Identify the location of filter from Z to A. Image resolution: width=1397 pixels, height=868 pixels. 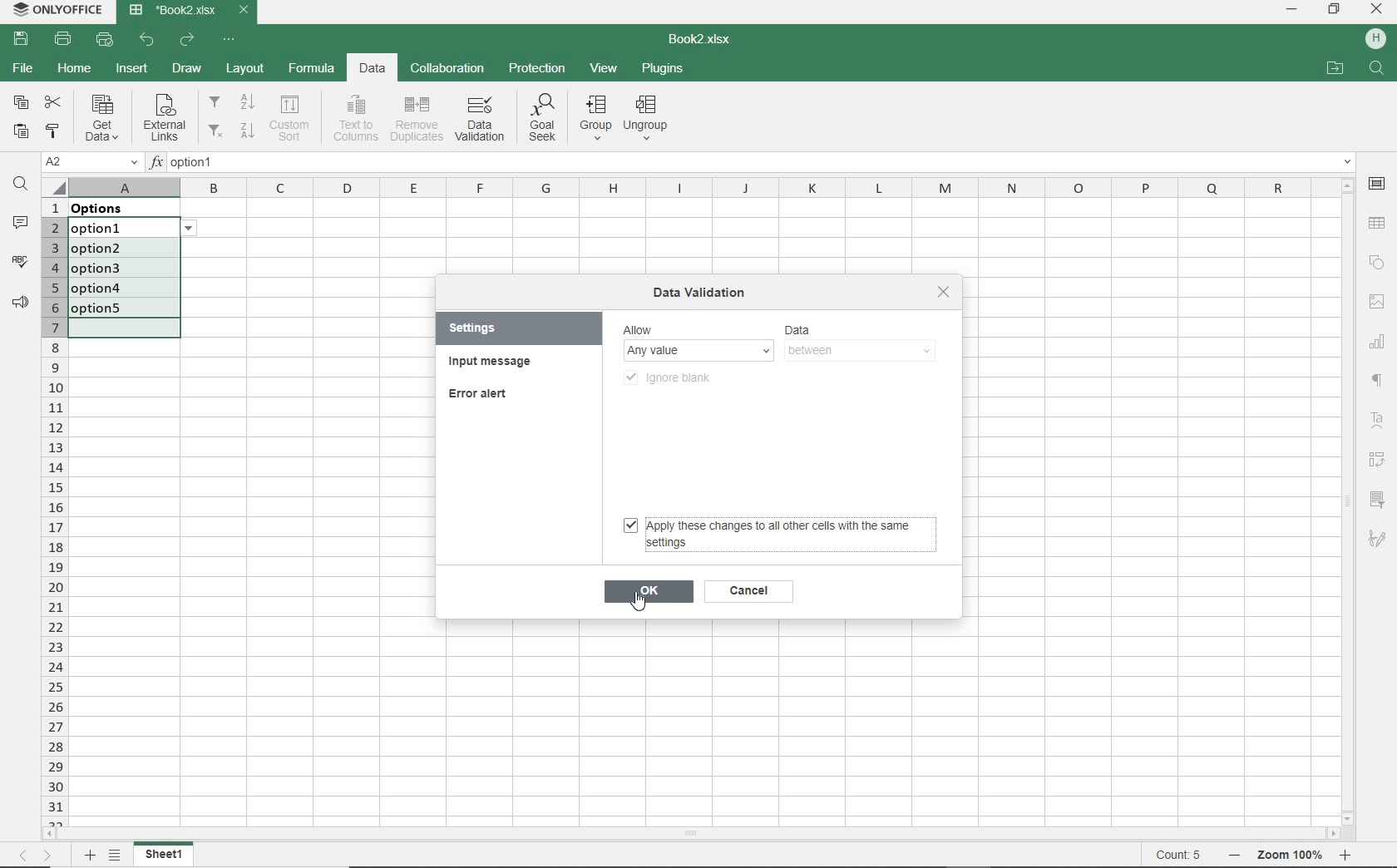
(232, 129).